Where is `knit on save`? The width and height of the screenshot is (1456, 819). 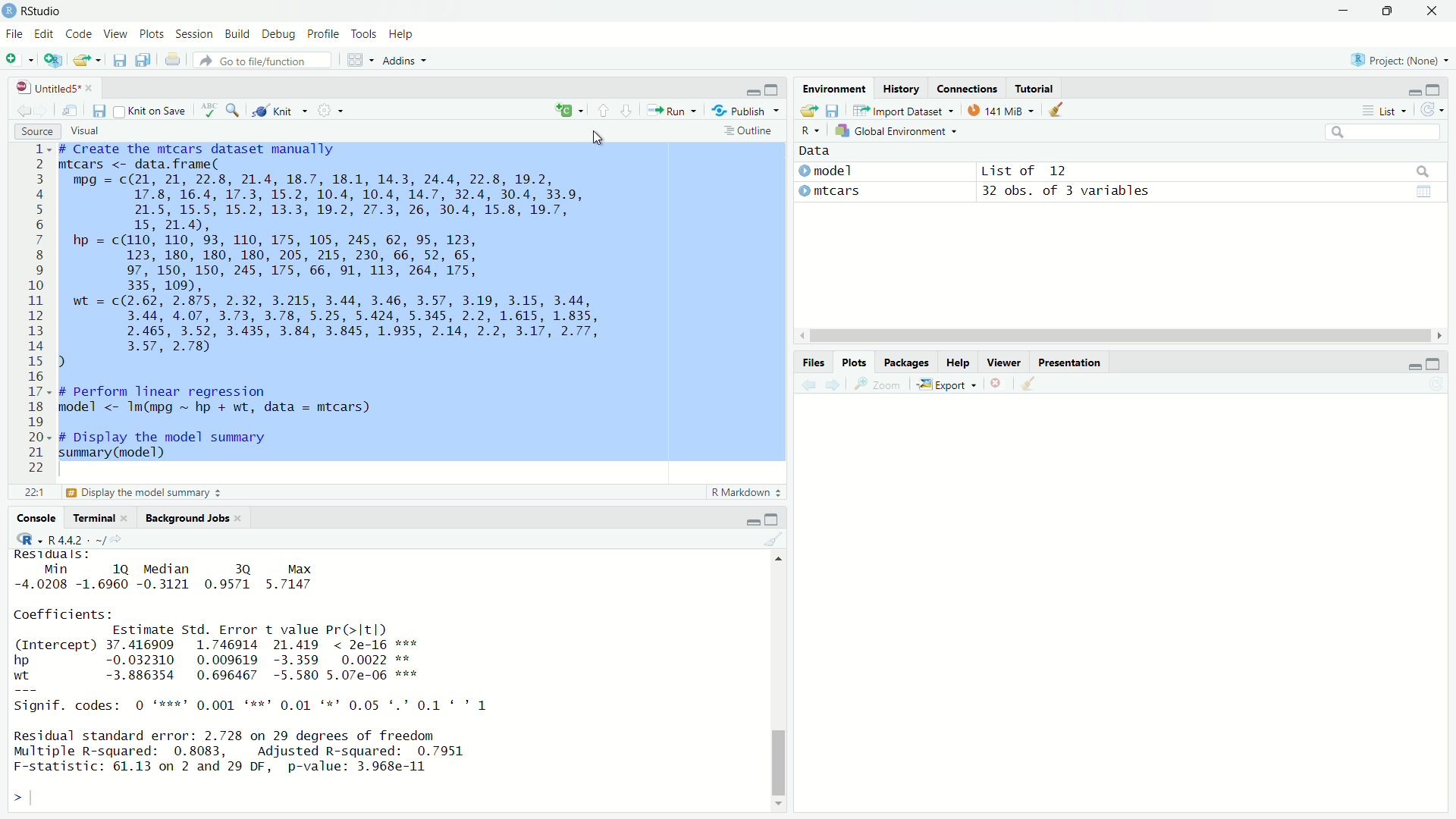 knit on save is located at coordinates (149, 111).